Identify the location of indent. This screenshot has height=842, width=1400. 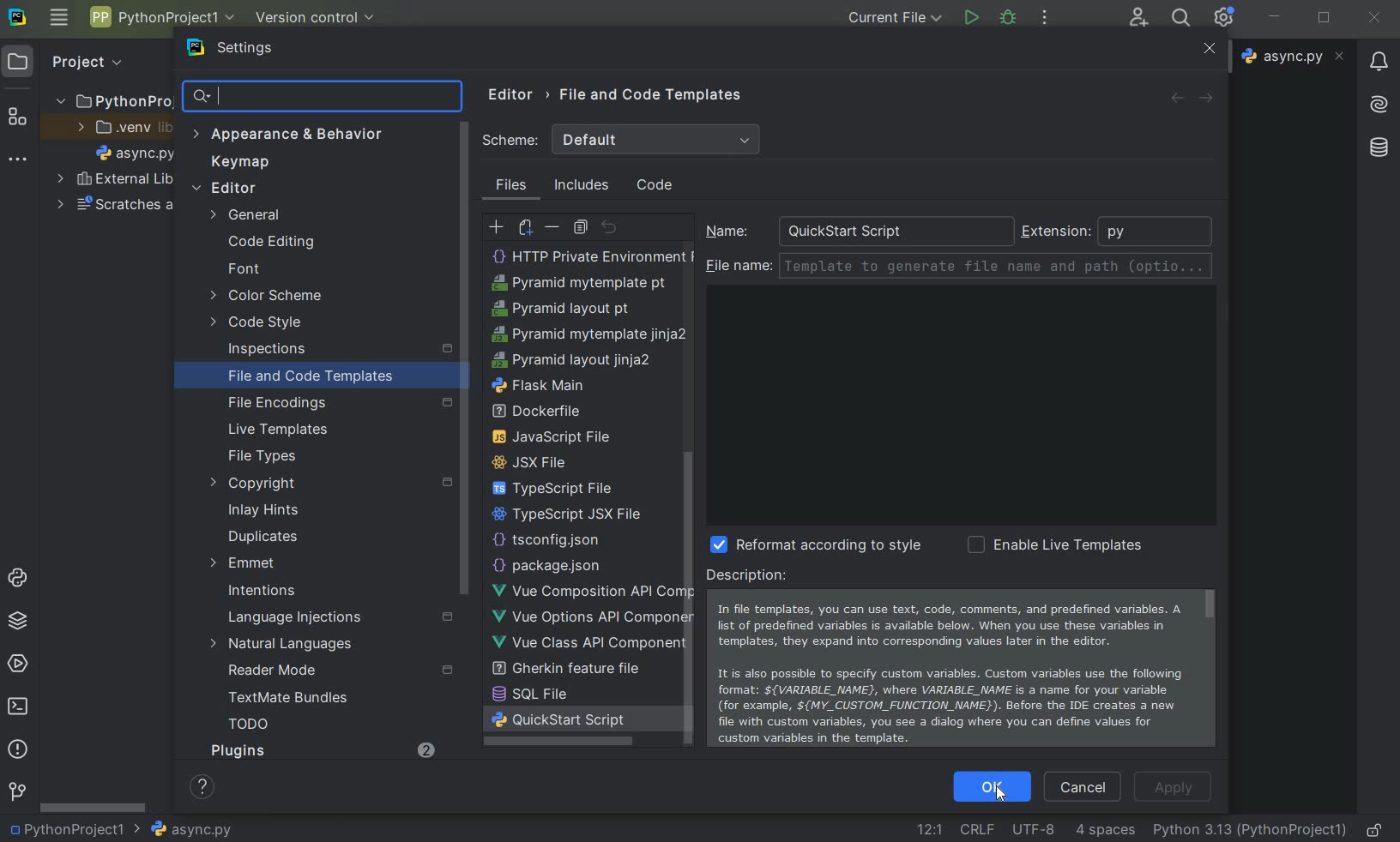
(1105, 830).